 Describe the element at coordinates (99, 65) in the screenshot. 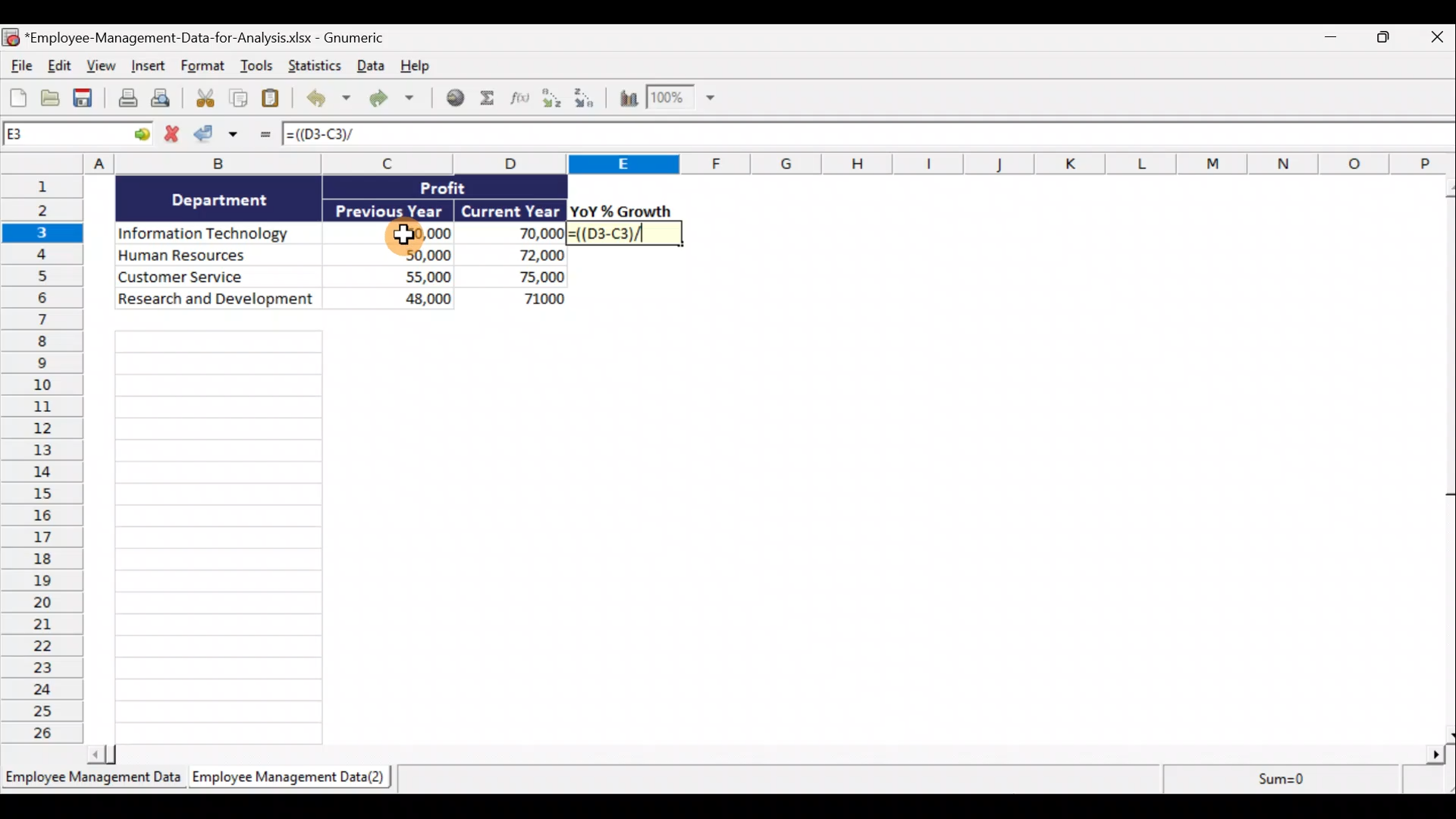

I see `View` at that location.